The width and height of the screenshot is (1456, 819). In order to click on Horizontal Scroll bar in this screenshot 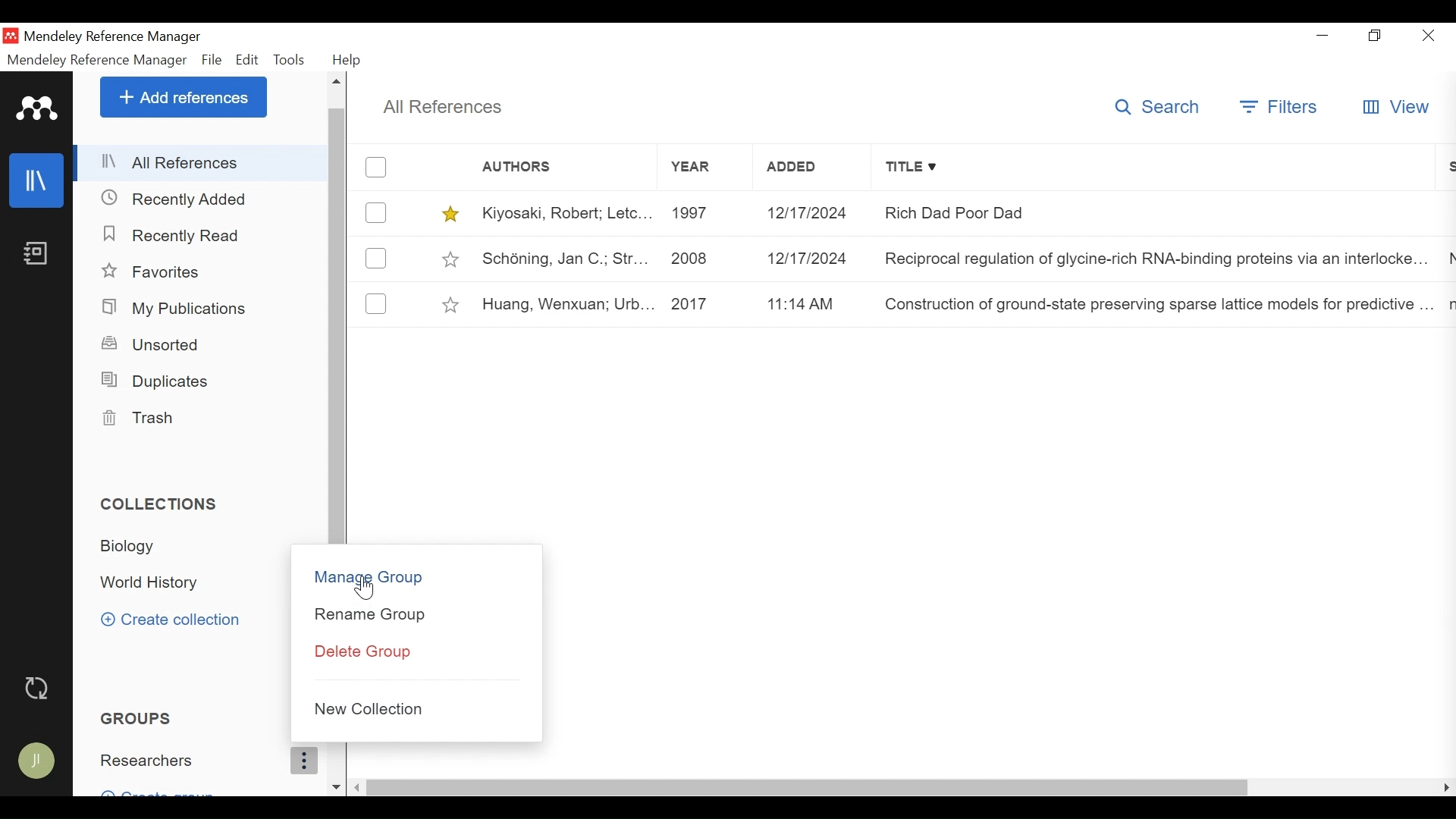, I will do `click(811, 788)`.